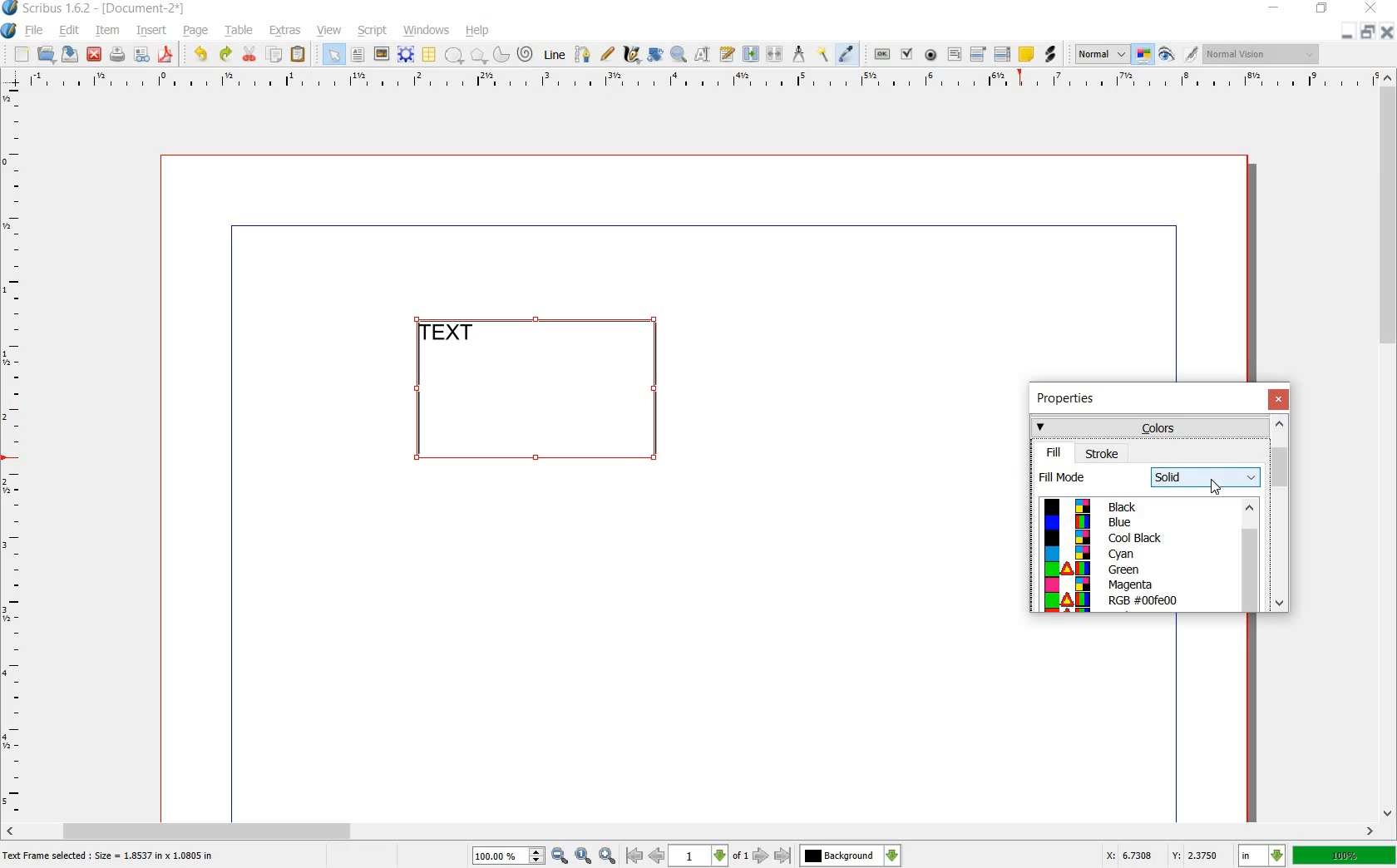  What do you see at coordinates (22, 55) in the screenshot?
I see `new` at bounding box center [22, 55].